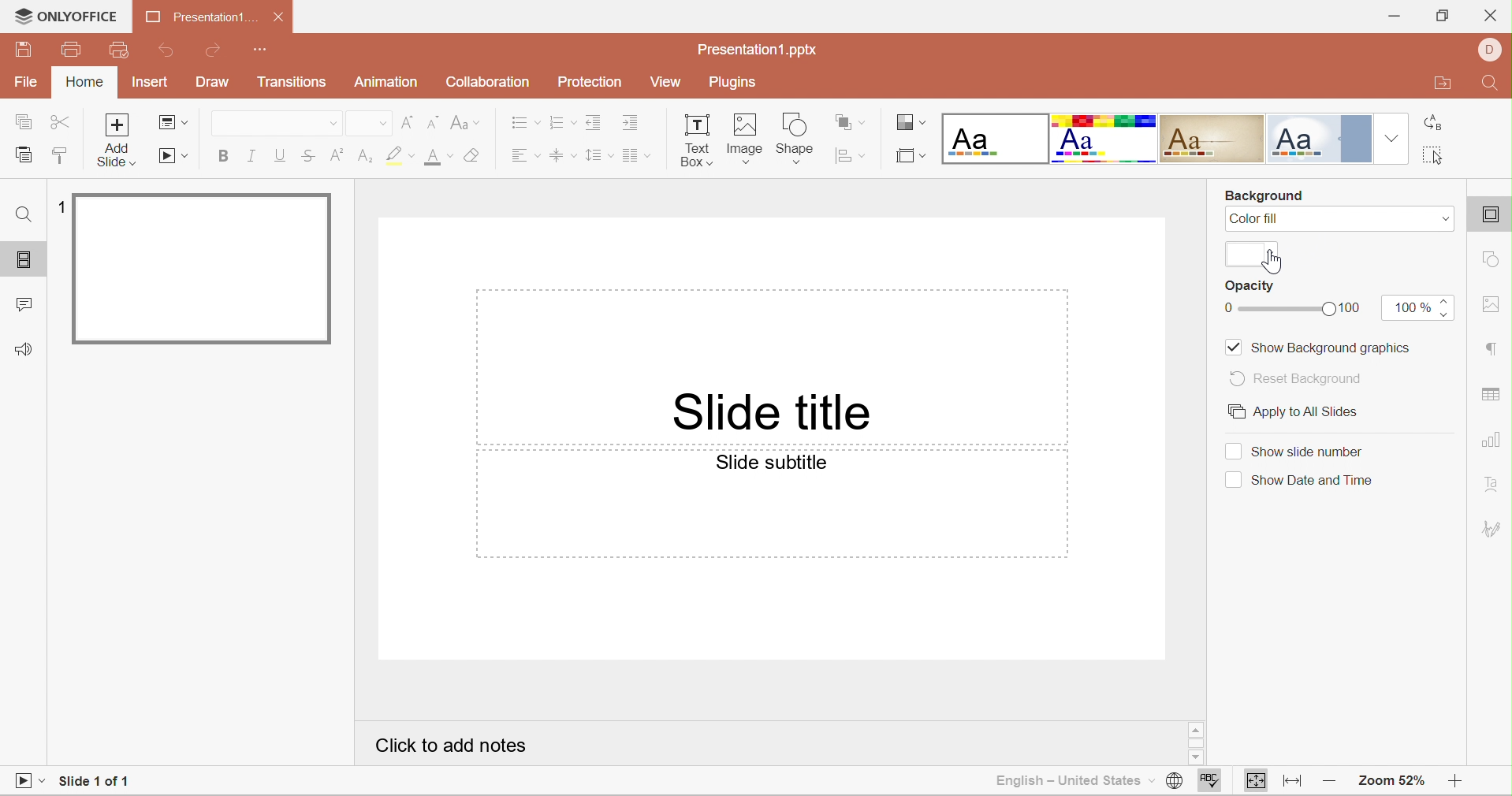 Image resolution: width=1512 pixels, height=796 pixels. Describe the element at coordinates (253, 154) in the screenshot. I see `Italic` at that location.